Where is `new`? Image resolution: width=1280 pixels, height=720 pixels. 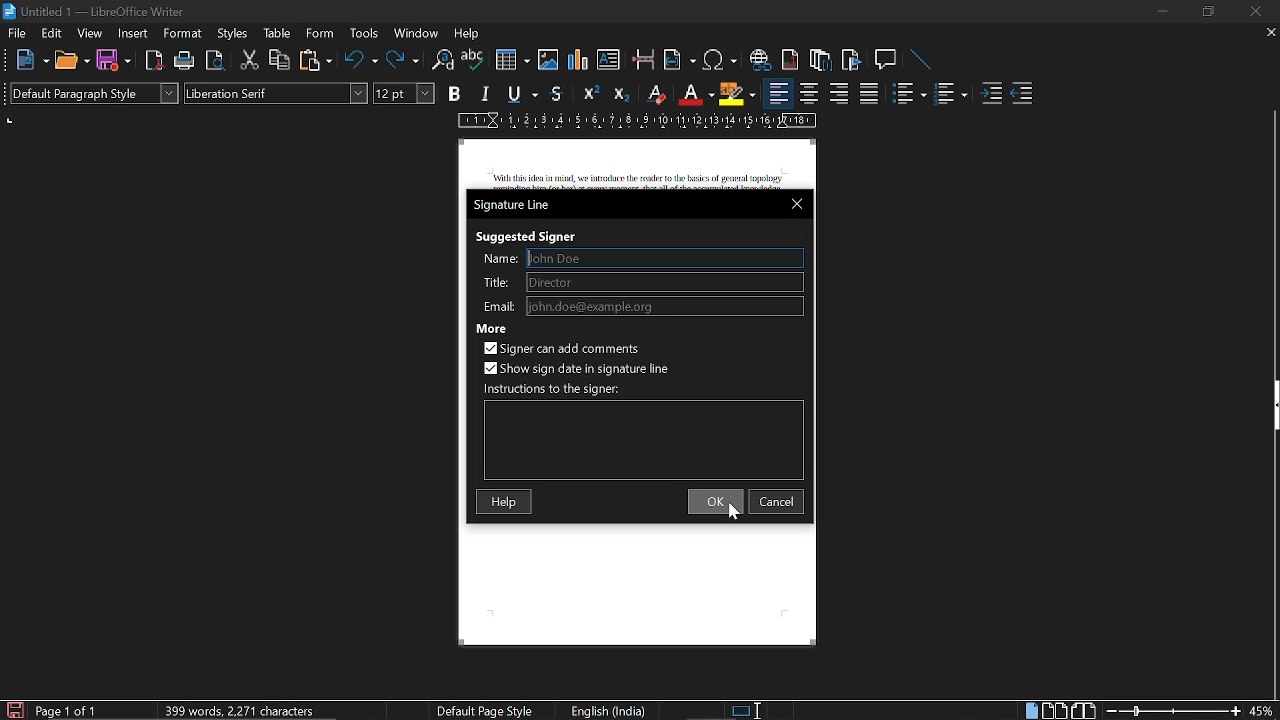
new is located at coordinates (24, 59).